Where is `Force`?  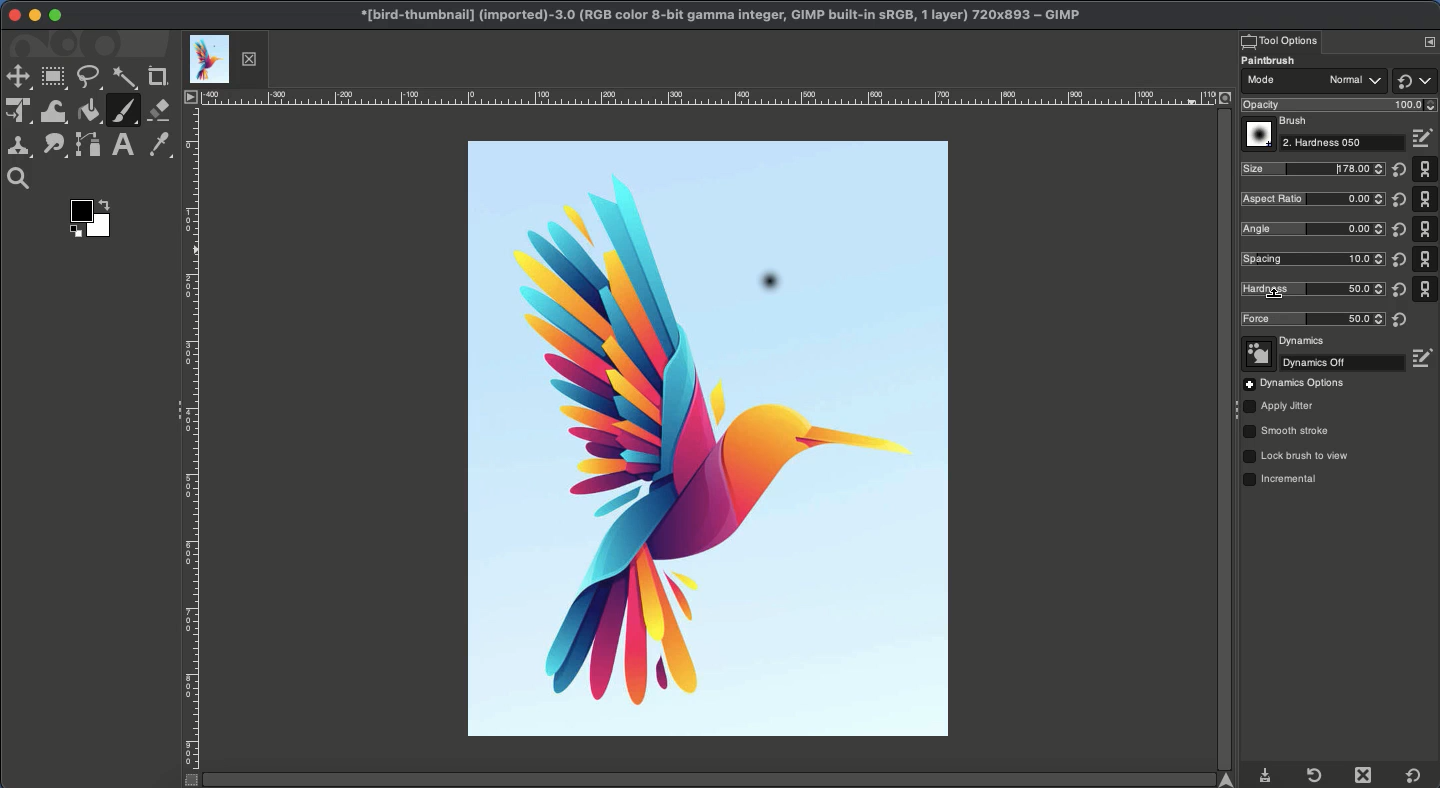
Force is located at coordinates (1312, 319).